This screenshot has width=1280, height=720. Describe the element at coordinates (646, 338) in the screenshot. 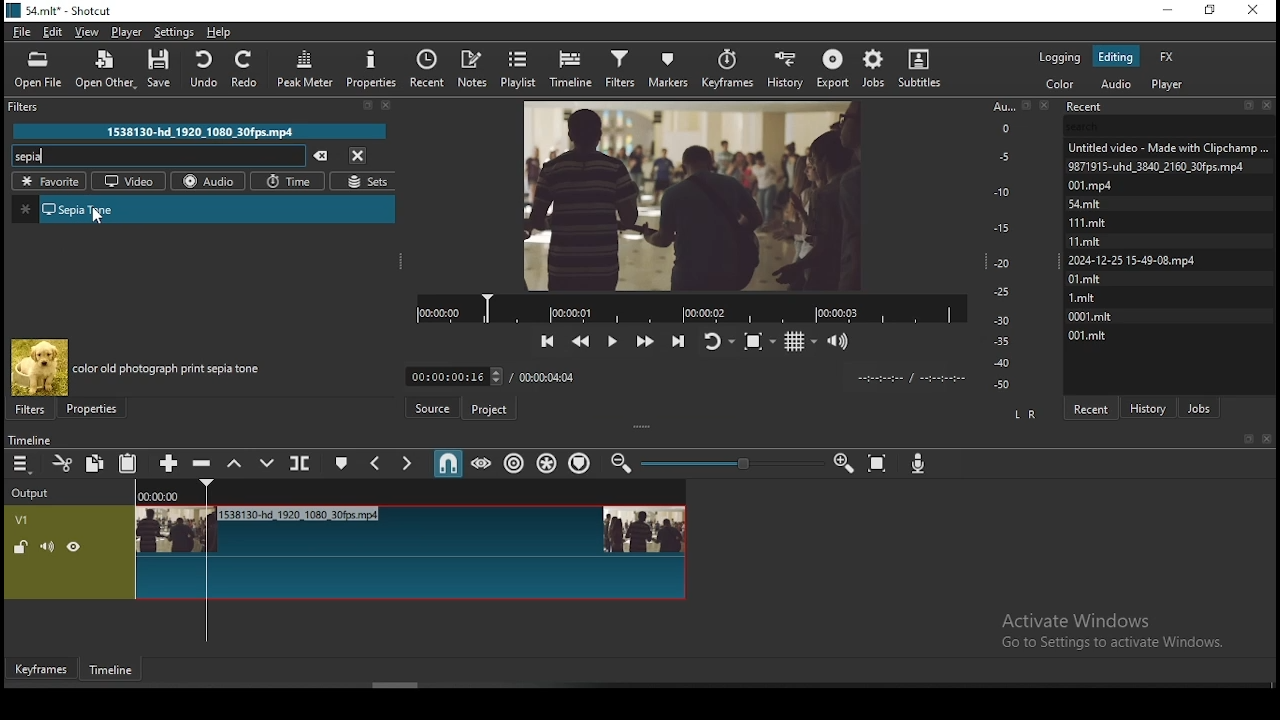

I see `play quickly forwards` at that location.